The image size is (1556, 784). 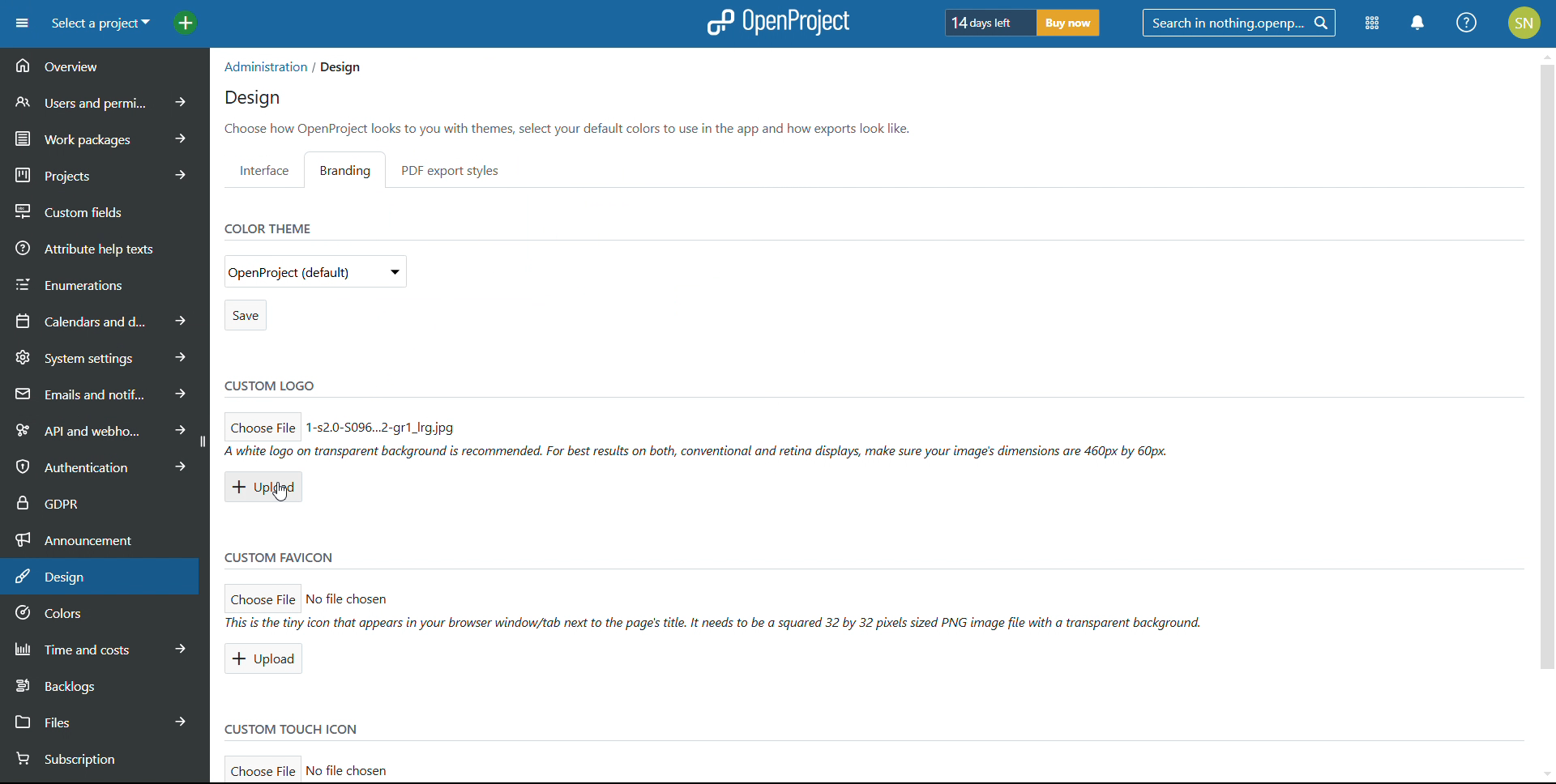 What do you see at coordinates (263, 66) in the screenshot?
I see `administration` at bounding box center [263, 66].